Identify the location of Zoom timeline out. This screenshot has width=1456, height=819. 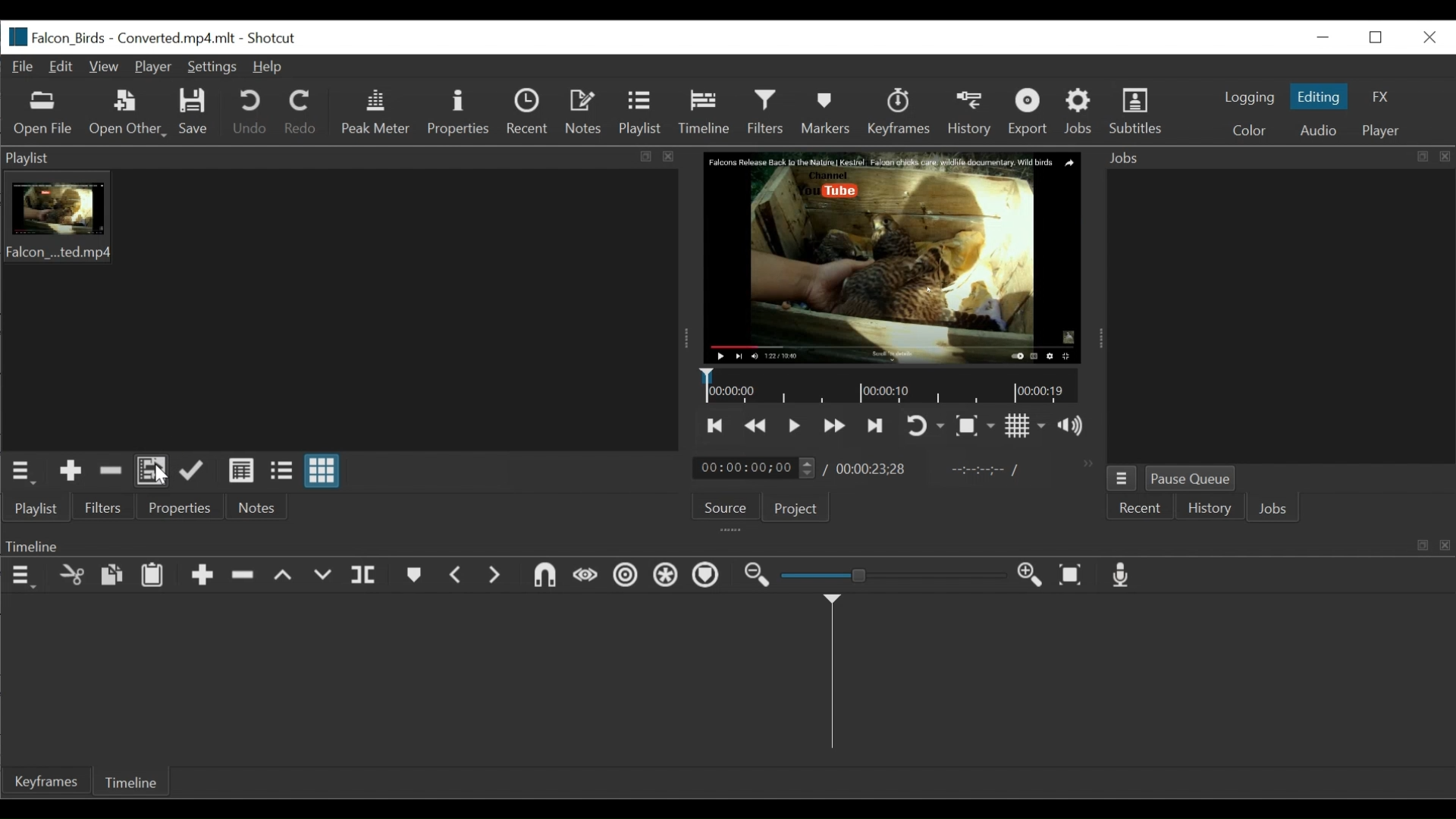
(755, 579).